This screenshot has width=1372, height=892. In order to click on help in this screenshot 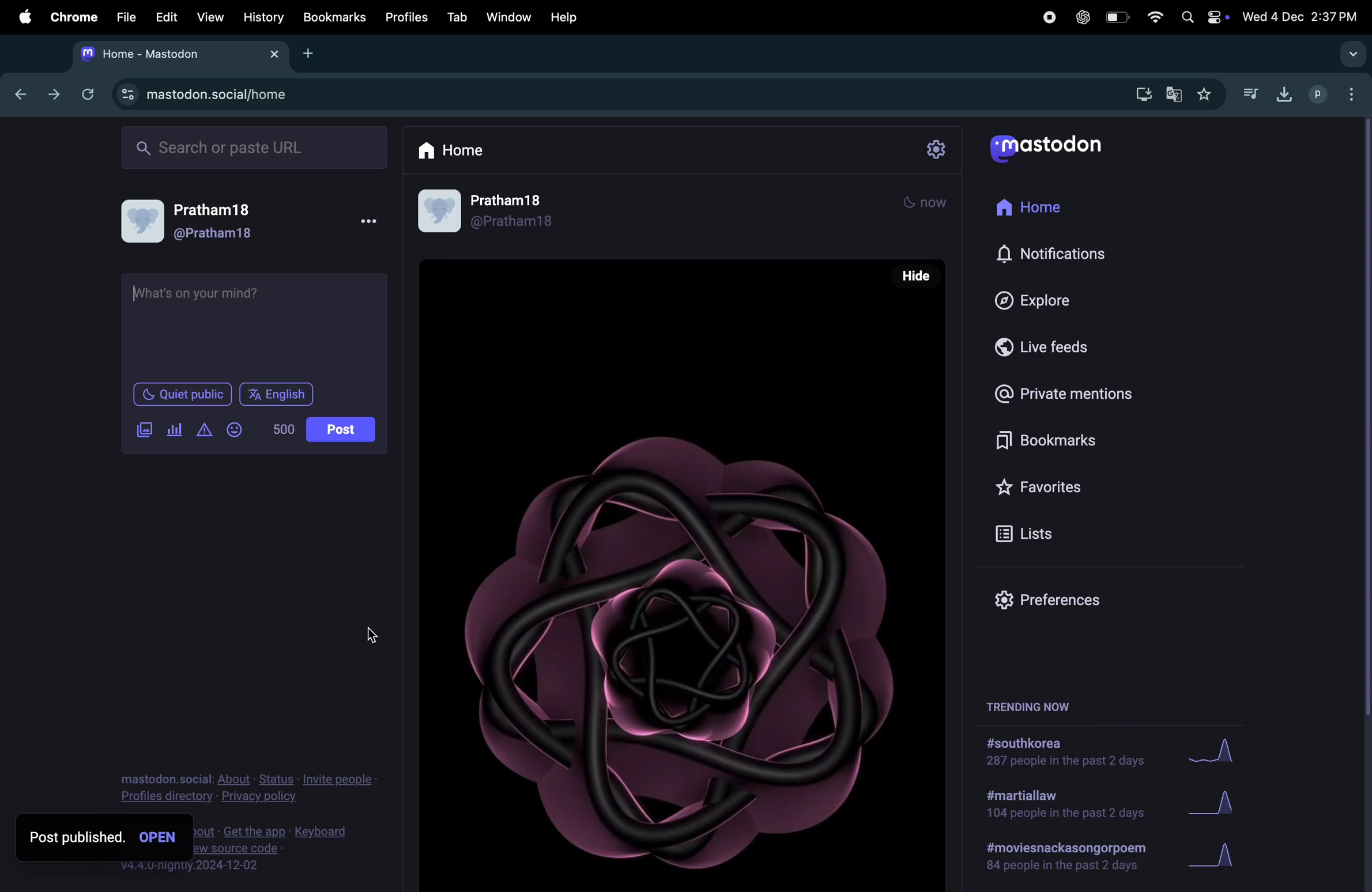, I will do `click(563, 17)`.